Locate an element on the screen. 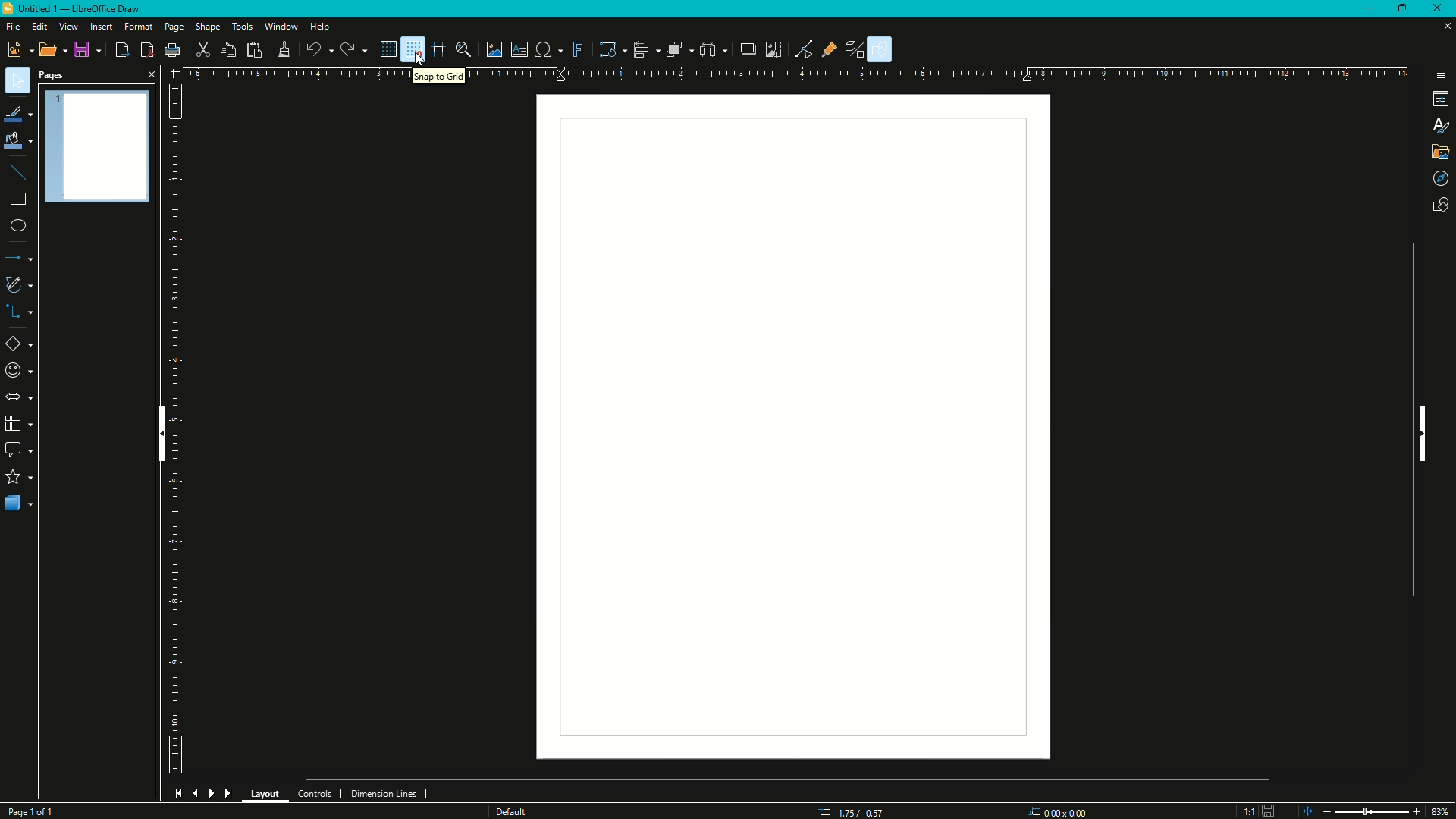  Page preview is located at coordinates (105, 158).